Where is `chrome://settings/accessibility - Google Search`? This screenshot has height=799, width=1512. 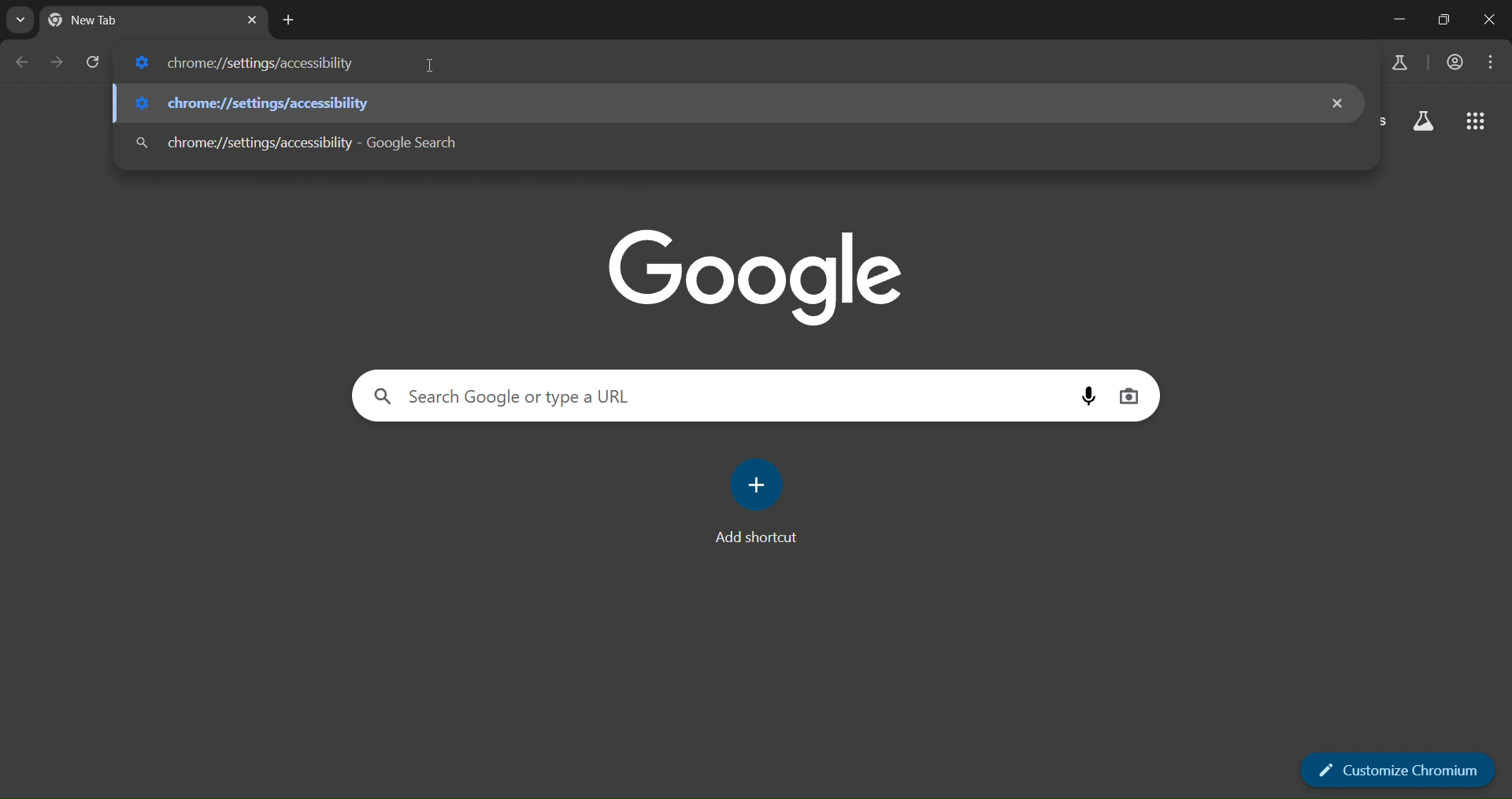 chrome://settings/accessibility - Google Search is located at coordinates (298, 144).